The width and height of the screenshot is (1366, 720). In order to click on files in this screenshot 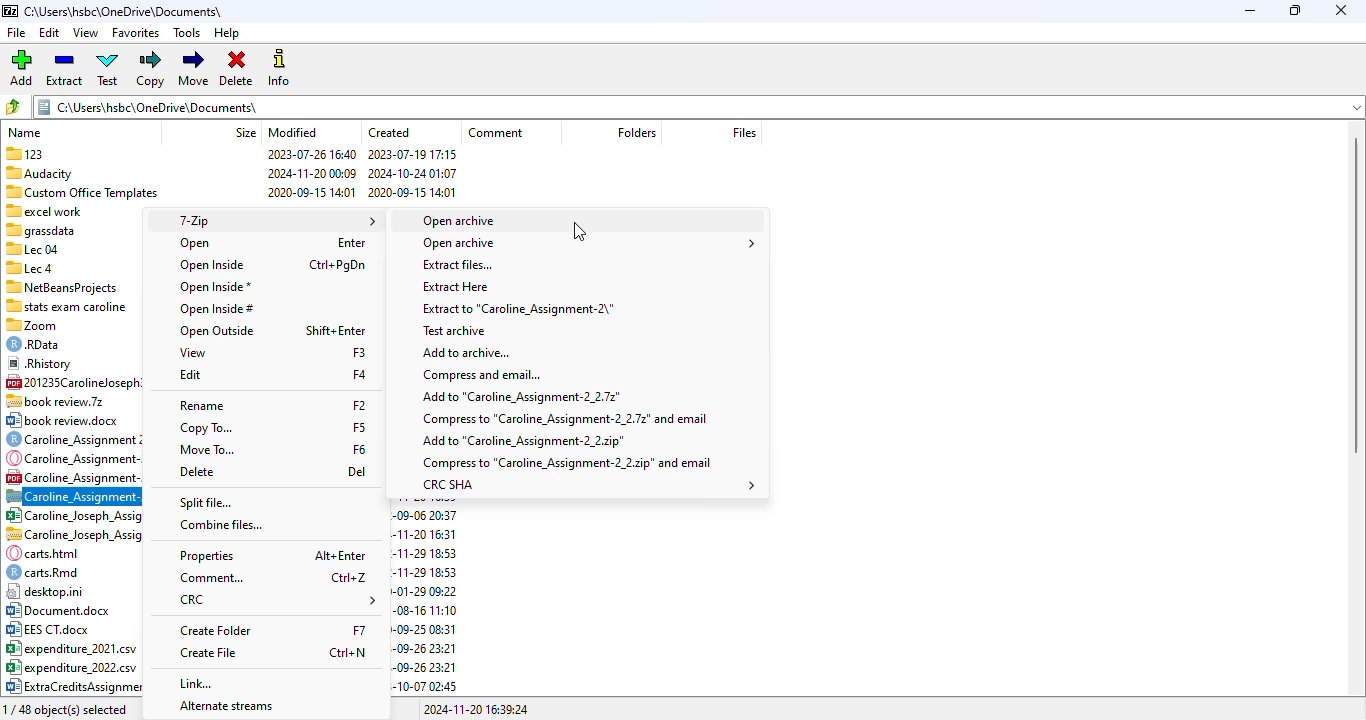, I will do `click(741, 132)`.